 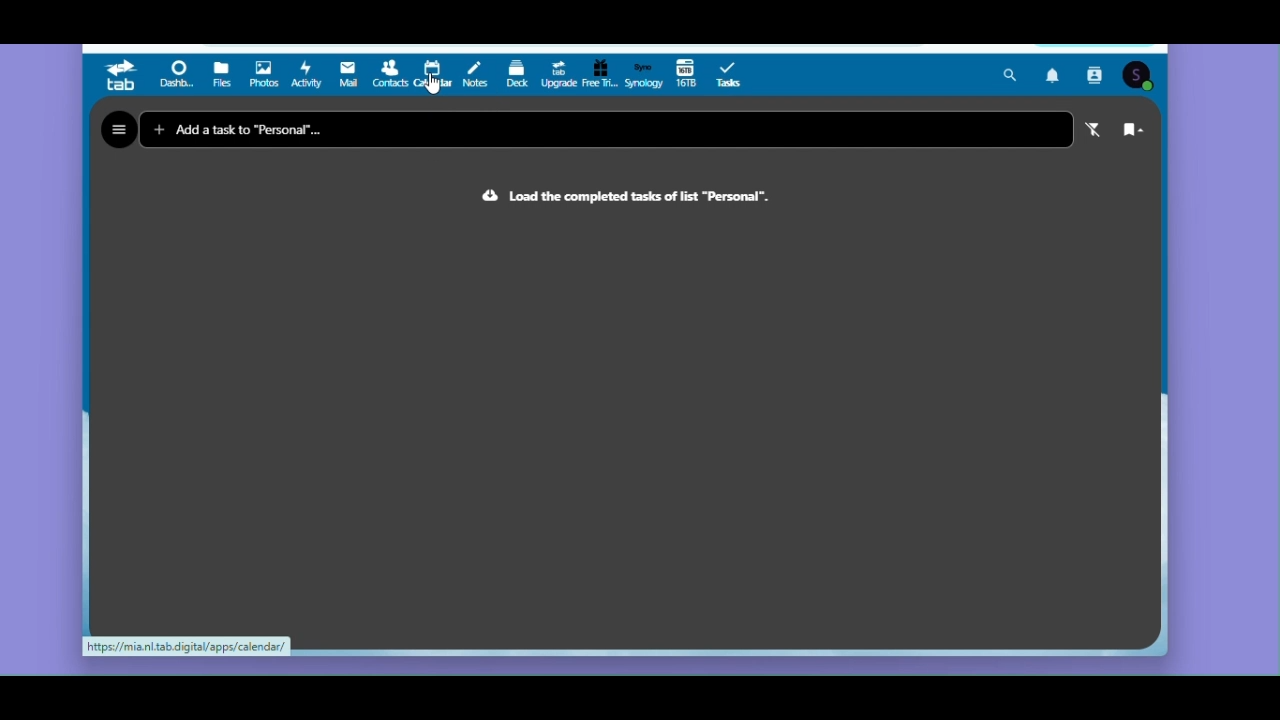 What do you see at coordinates (118, 130) in the screenshot?
I see `Hamburger menu` at bounding box center [118, 130].